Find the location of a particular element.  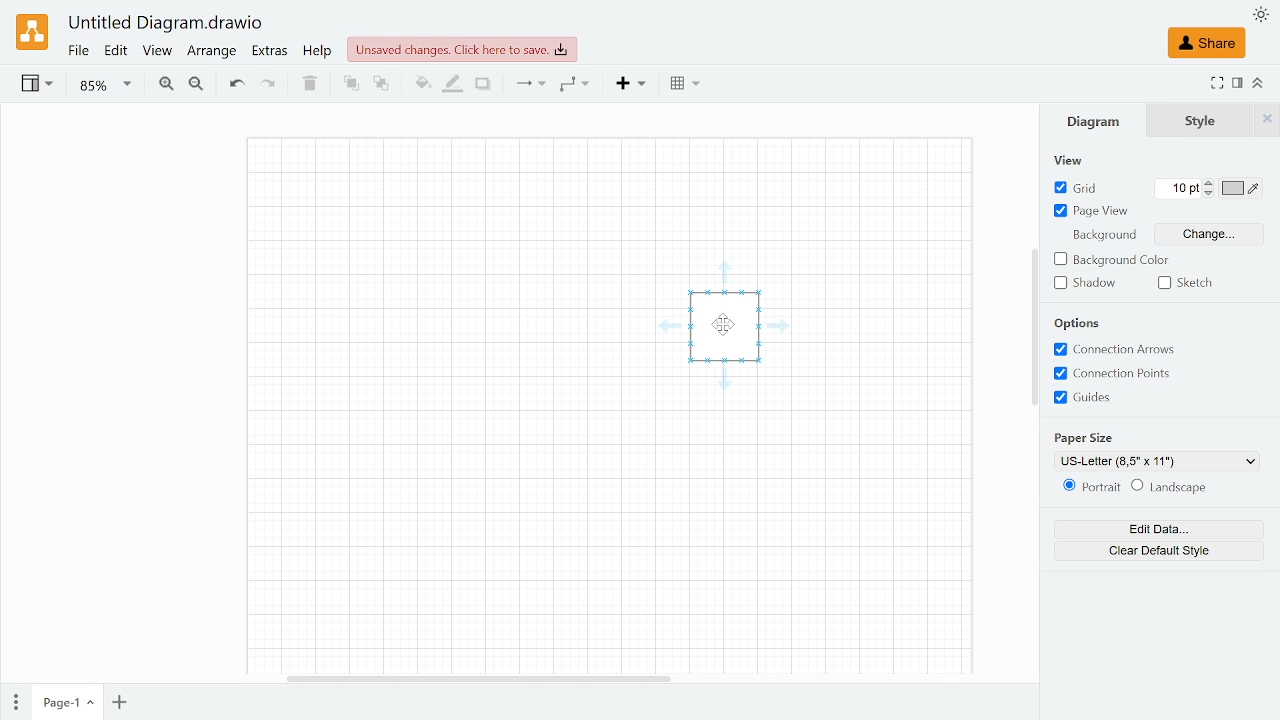

Background is located at coordinates (1106, 235).